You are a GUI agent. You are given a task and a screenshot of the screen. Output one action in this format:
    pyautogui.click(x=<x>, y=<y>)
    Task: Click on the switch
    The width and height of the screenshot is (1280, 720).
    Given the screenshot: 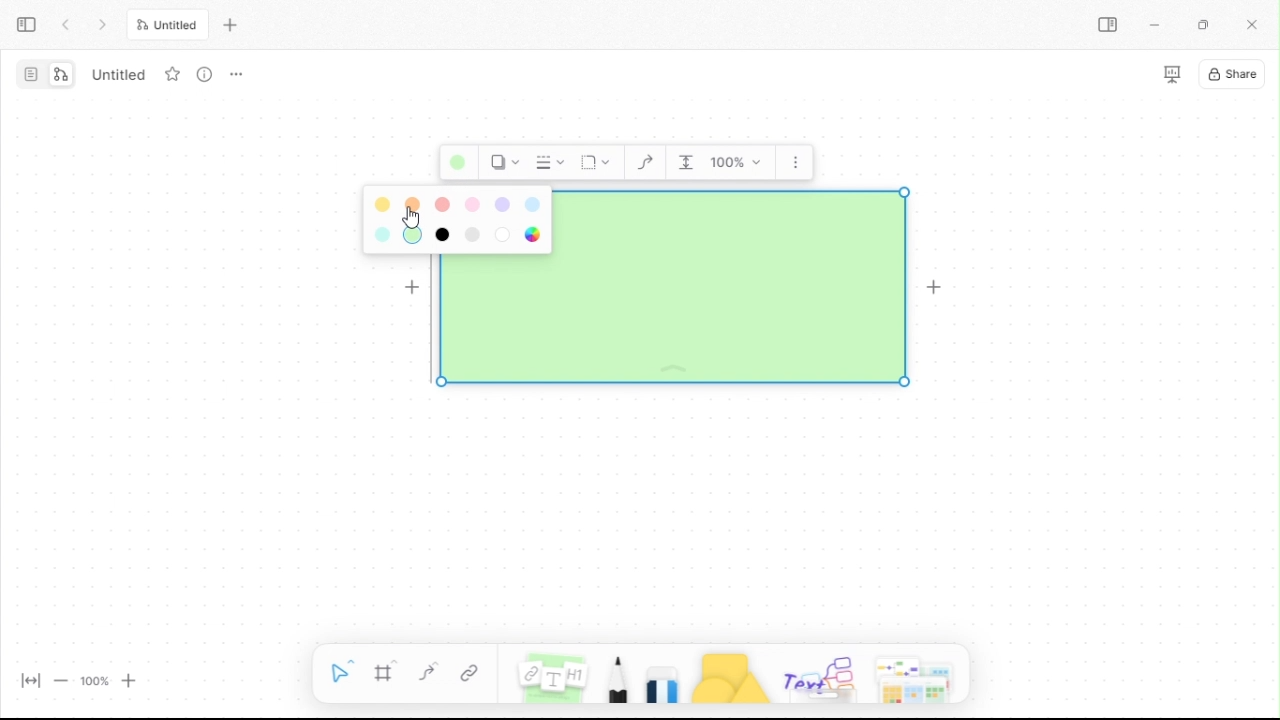 What is the action you would take?
    pyautogui.click(x=46, y=74)
    